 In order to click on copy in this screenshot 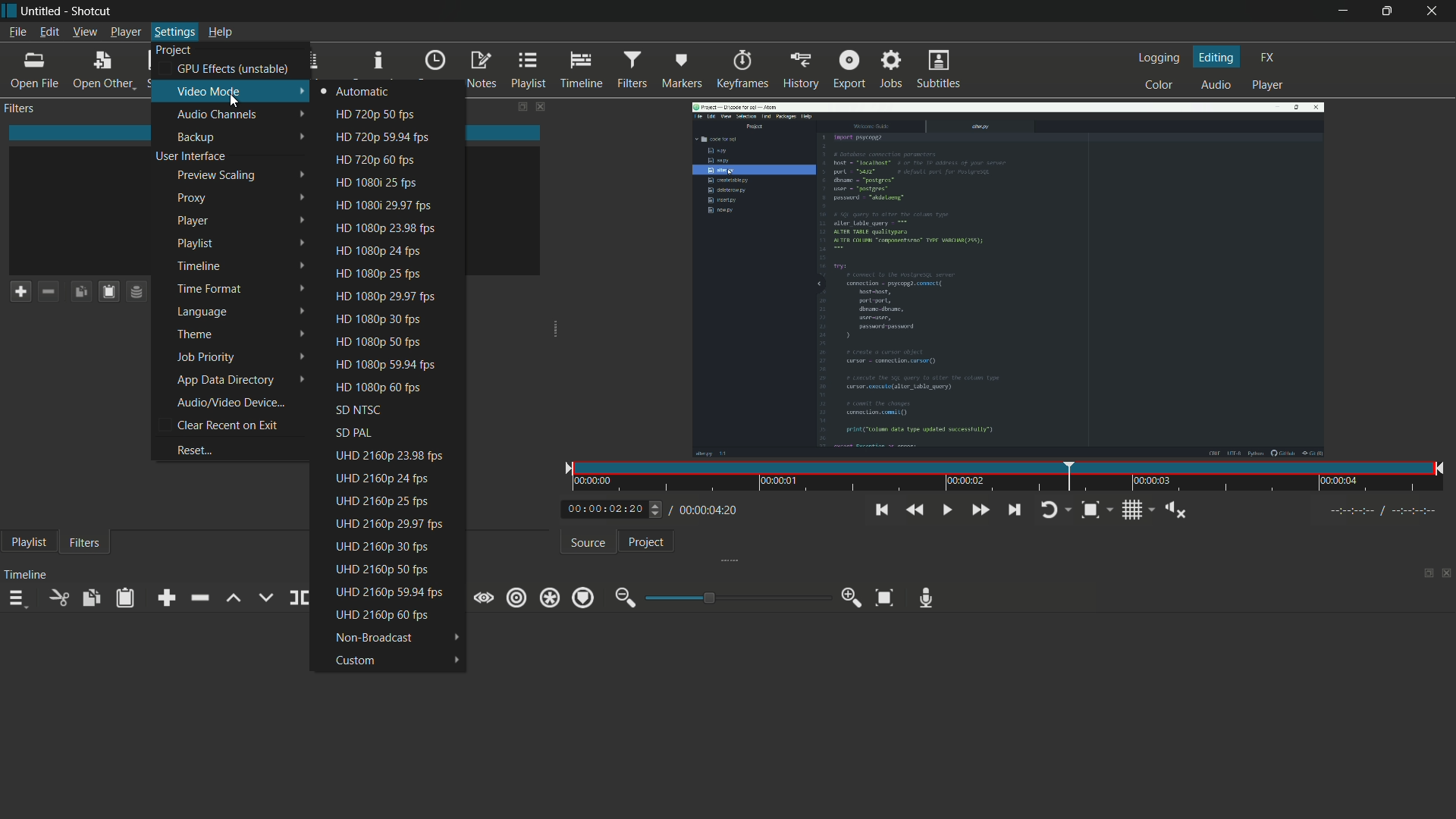, I will do `click(92, 598)`.